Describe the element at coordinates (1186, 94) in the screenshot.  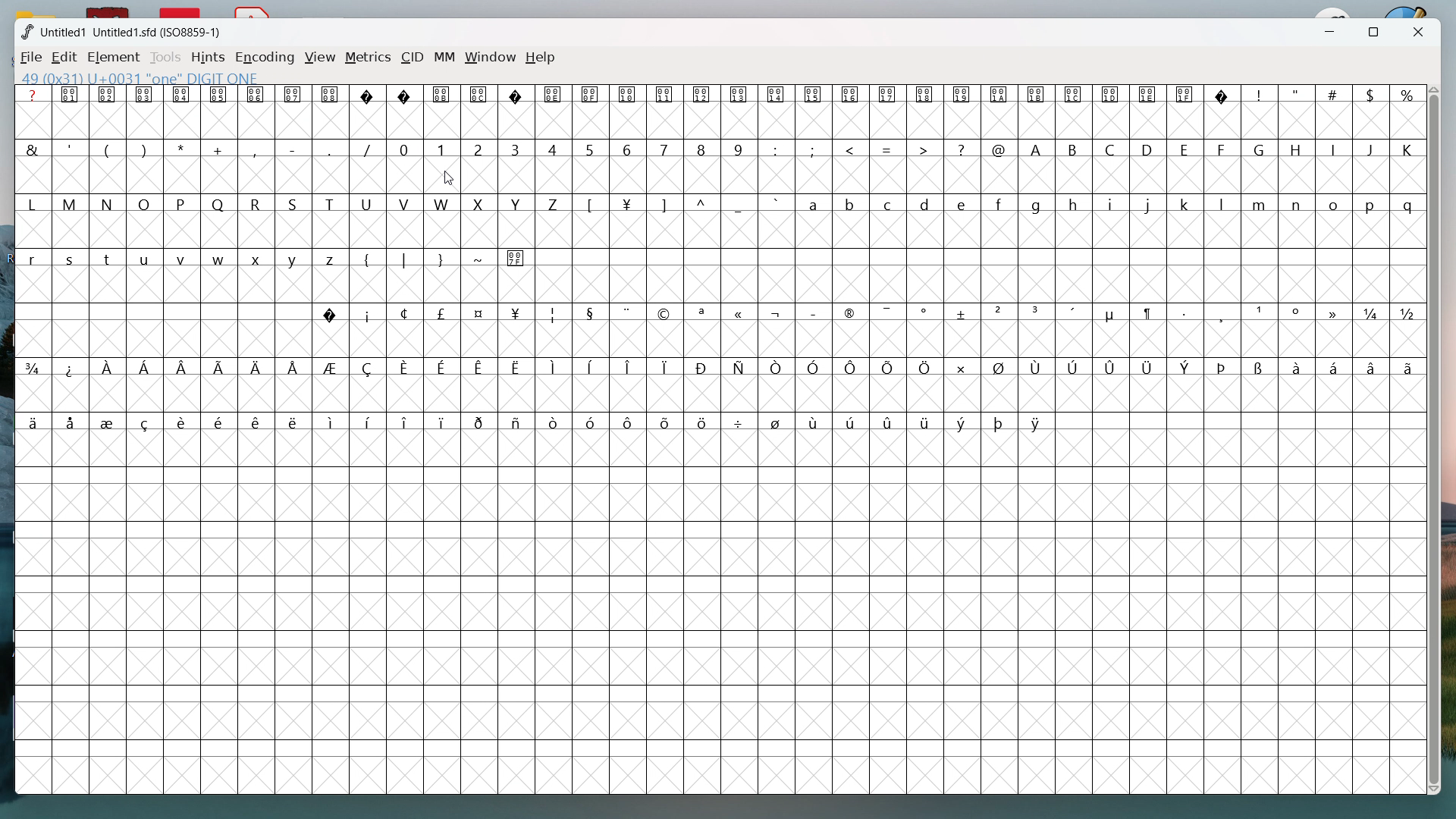
I see `symbol` at that location.